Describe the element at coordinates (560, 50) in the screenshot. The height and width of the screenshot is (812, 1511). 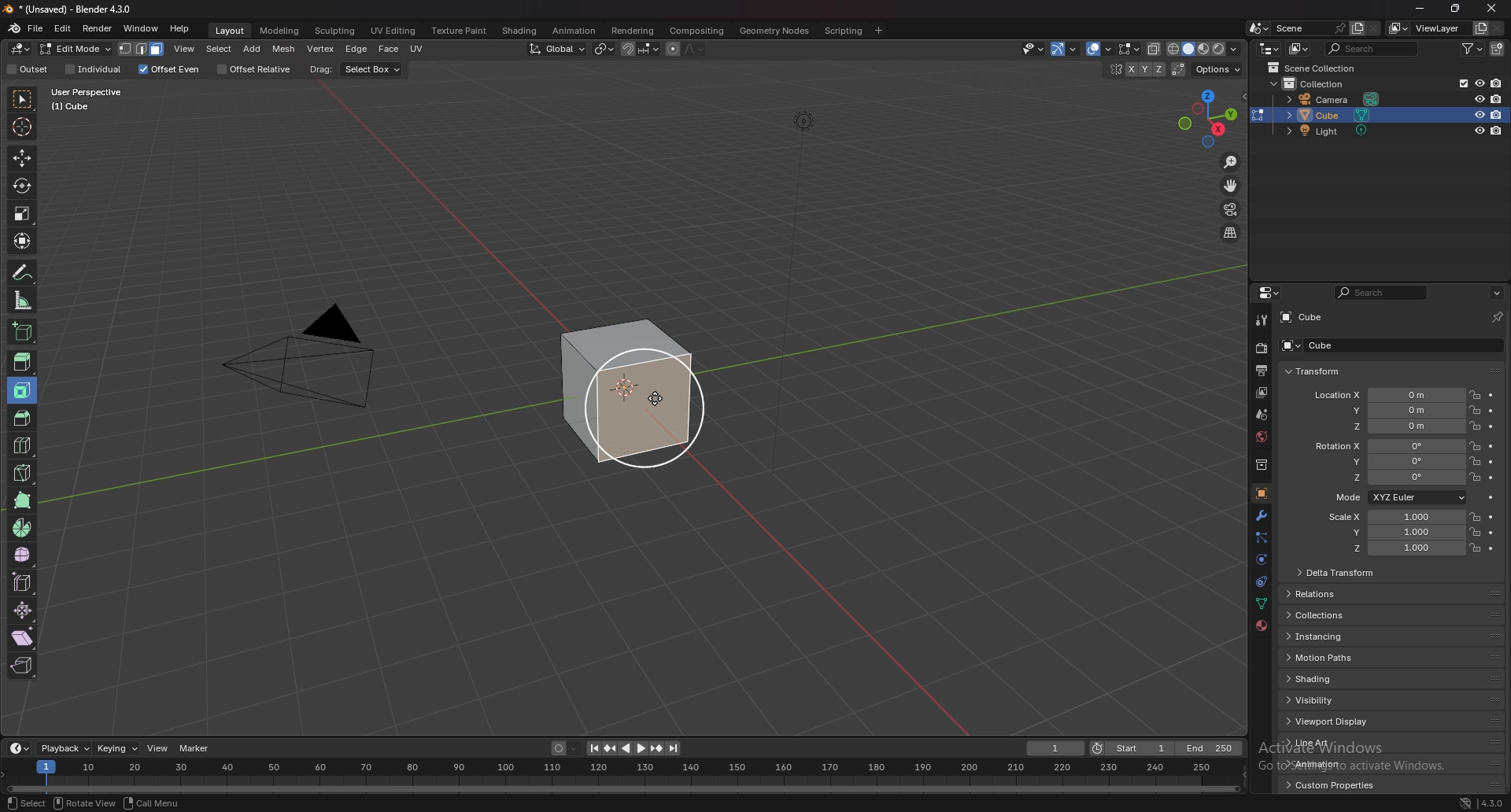
I see `transformation orientation` at that location.